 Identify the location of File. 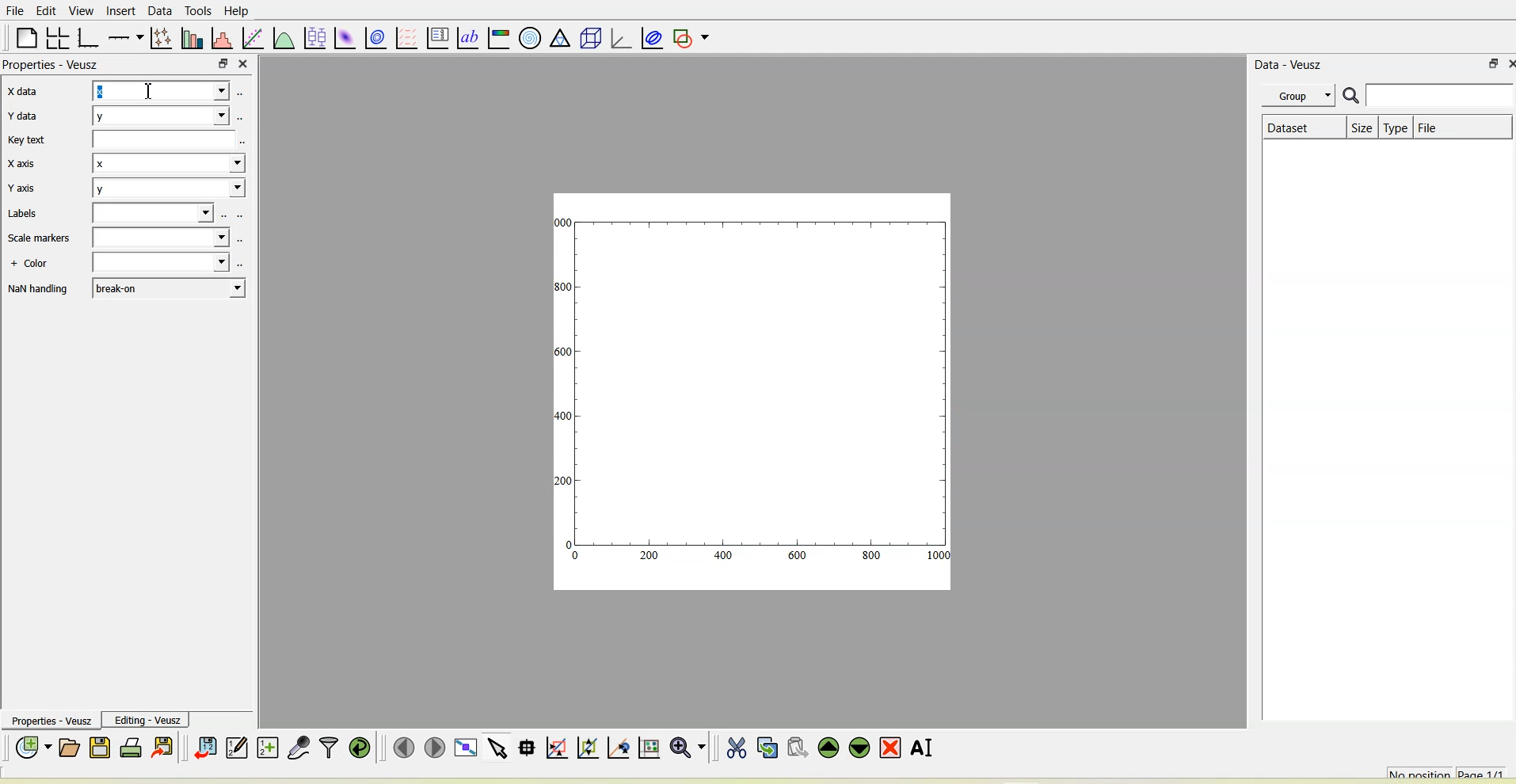
(17, 11).